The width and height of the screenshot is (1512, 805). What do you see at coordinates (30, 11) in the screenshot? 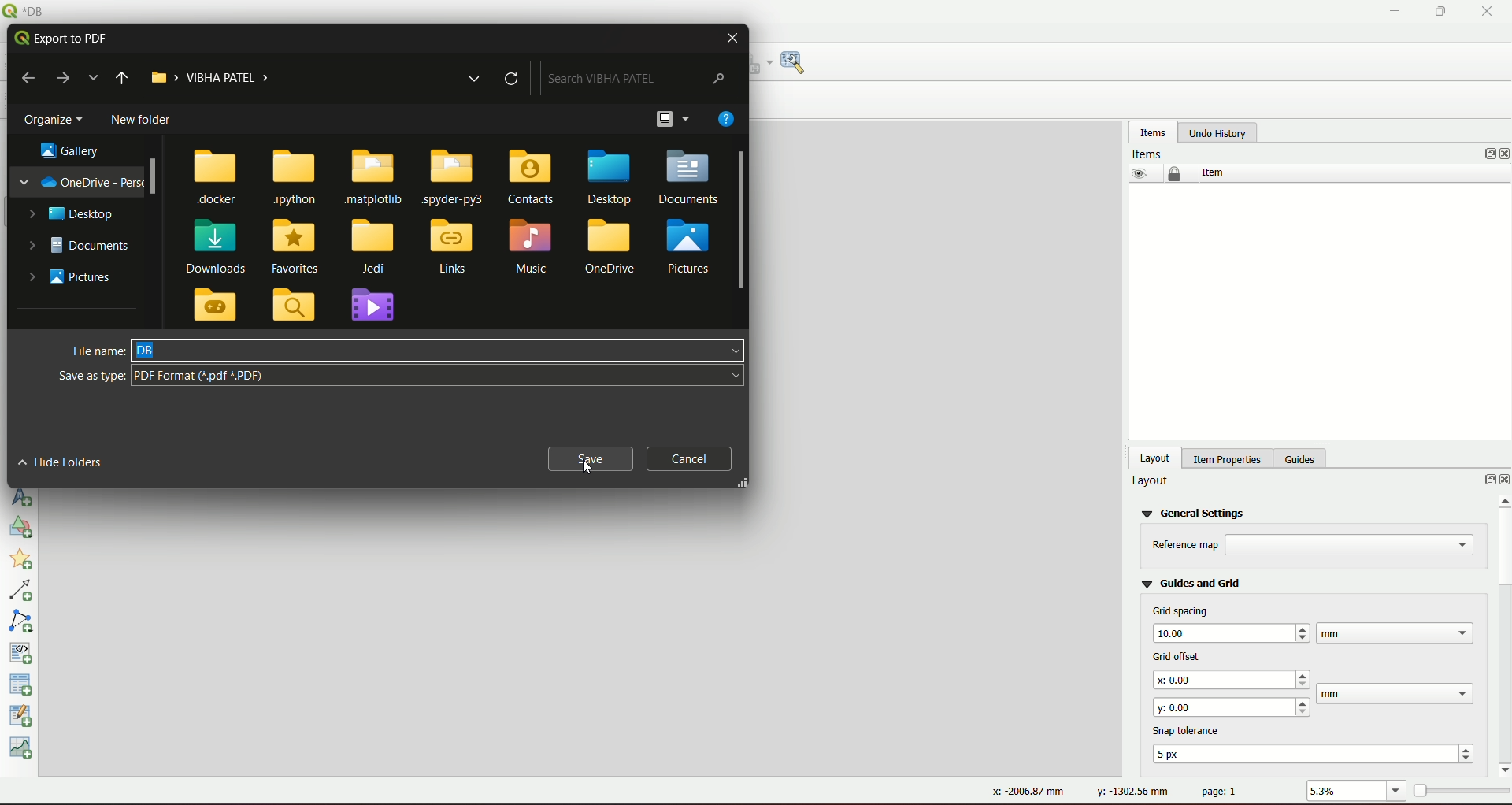
I see `Name and logo` at bounding box center [30, 11].